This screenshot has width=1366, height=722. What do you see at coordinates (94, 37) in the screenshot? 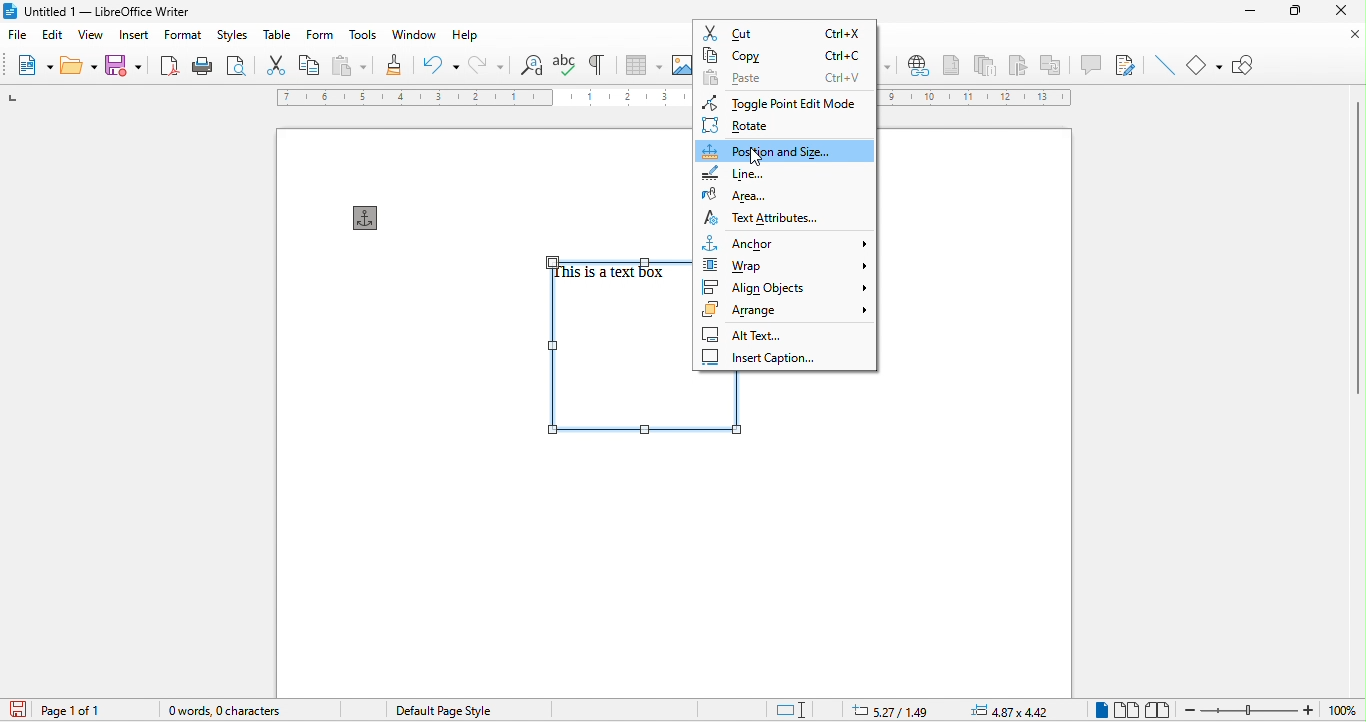
I see `view` at bounding box center [94, 37].